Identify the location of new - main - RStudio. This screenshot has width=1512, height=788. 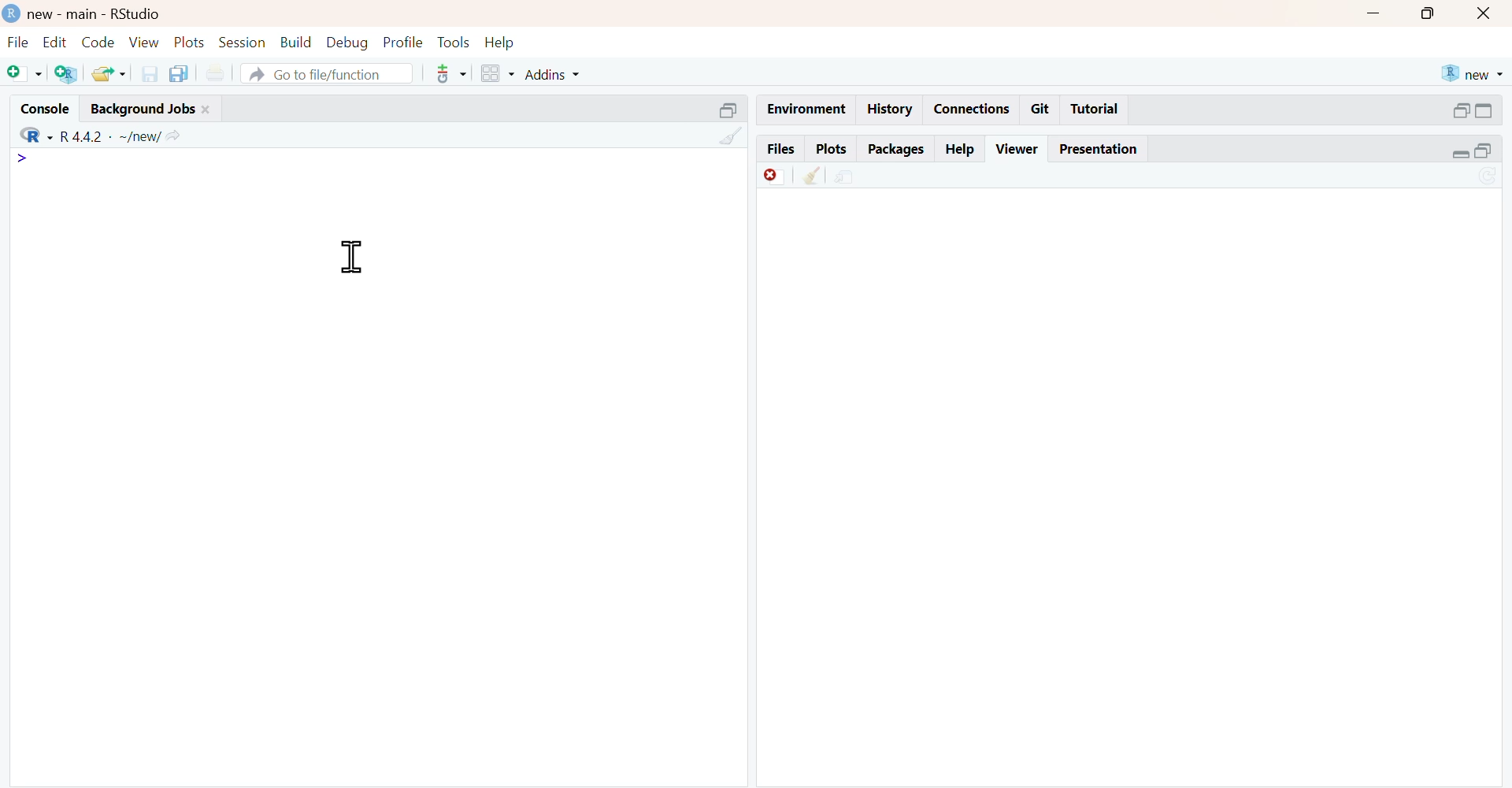
(97, 15).